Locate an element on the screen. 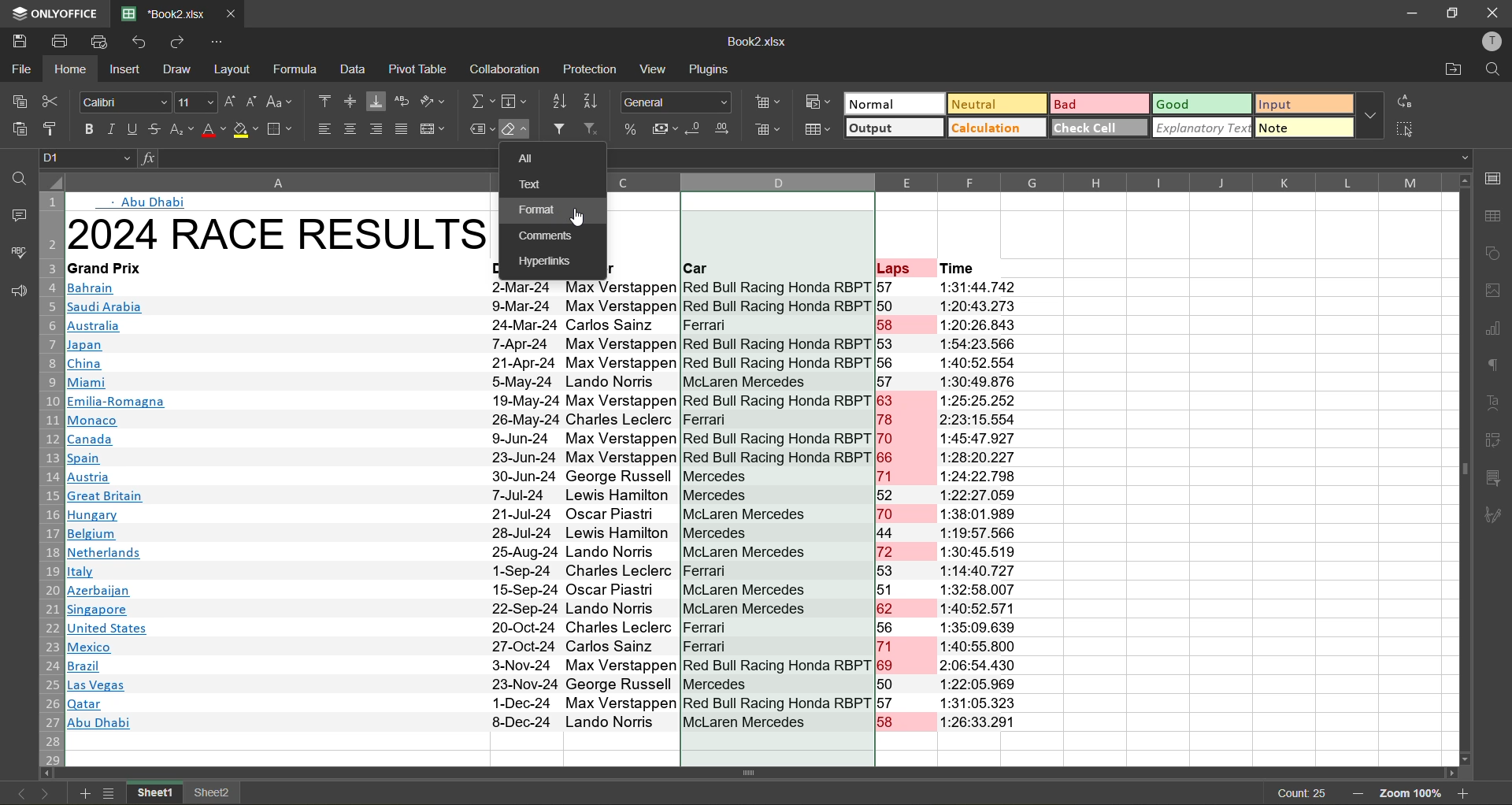 This screenshot has width=1512, height=805. Bl Austria 30-Jun-24 George Russell Mercedes 71 1:24:22.798 is located at coordinates (543, 476).